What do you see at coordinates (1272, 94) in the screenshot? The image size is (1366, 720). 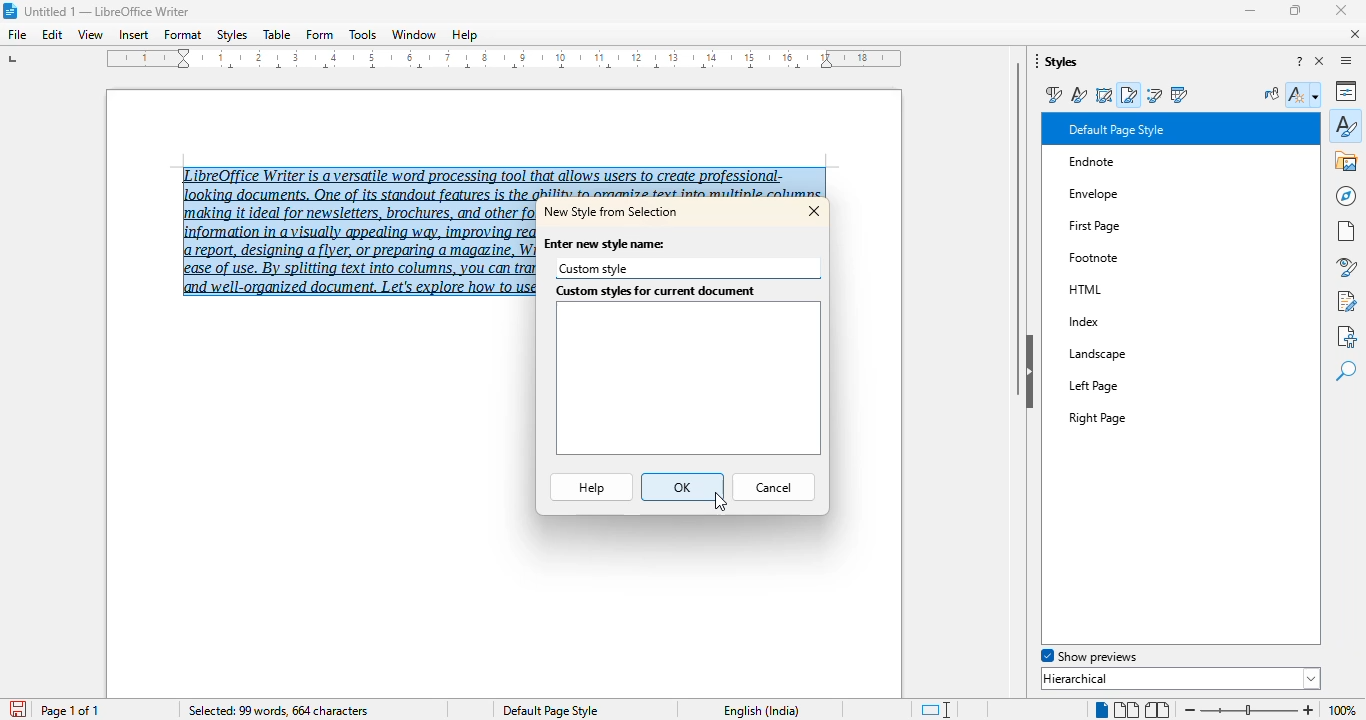 I see `fill format mode` at bounding box center [1272, 94].